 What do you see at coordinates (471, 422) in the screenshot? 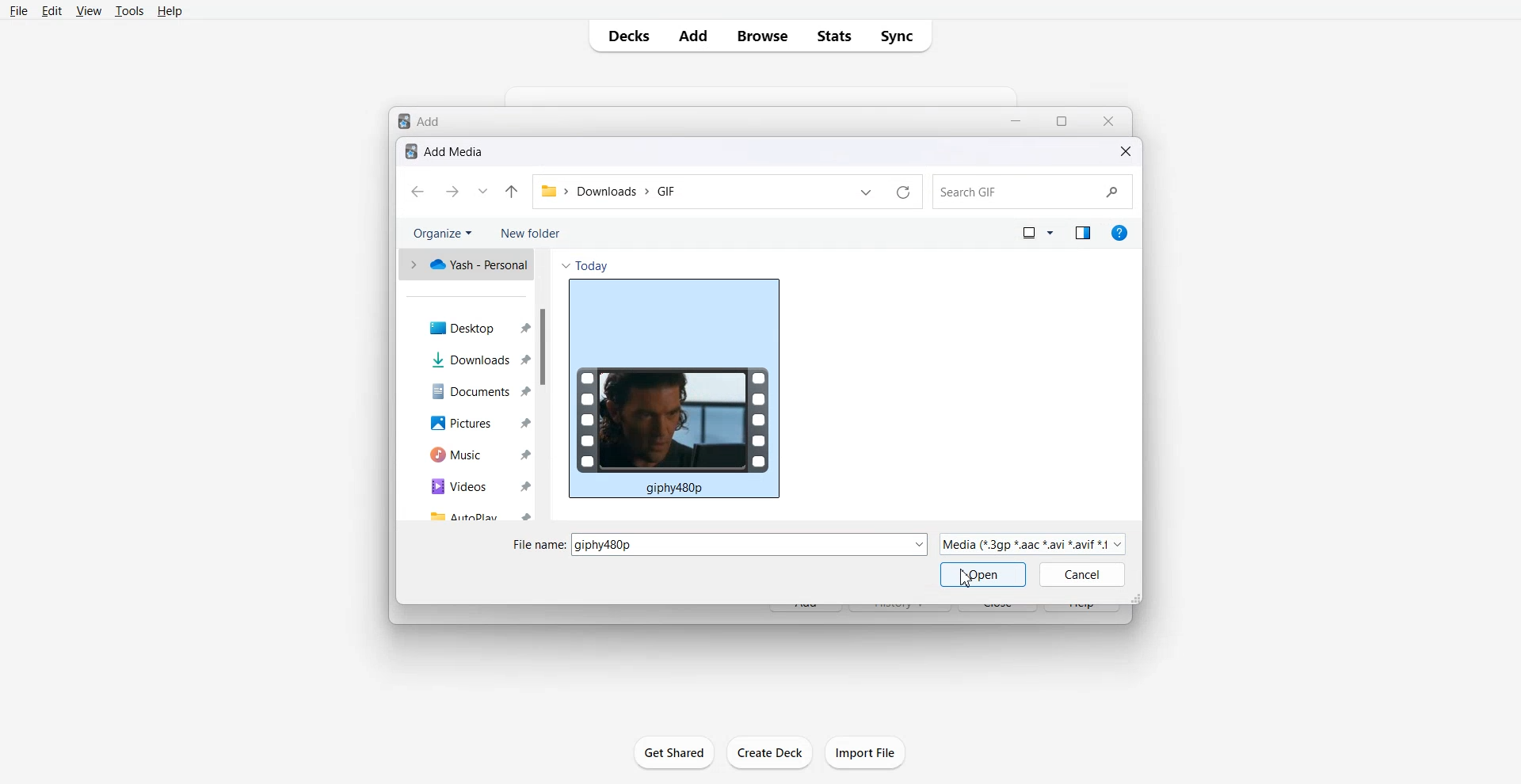
I see `Pictures` at bounding box center [471, 422].